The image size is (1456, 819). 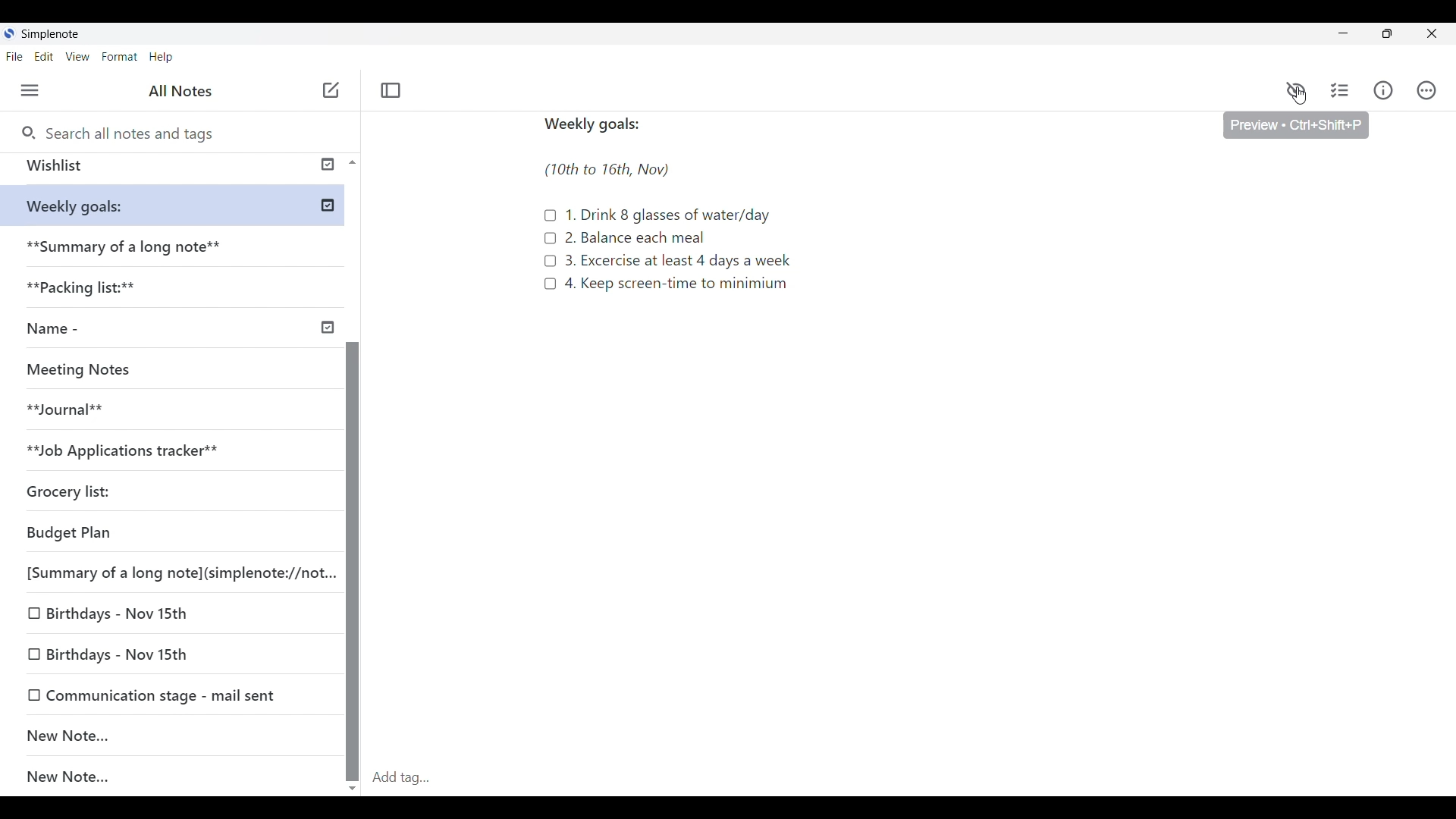 I want to click on Checklist, so click(x=1337, y=90).